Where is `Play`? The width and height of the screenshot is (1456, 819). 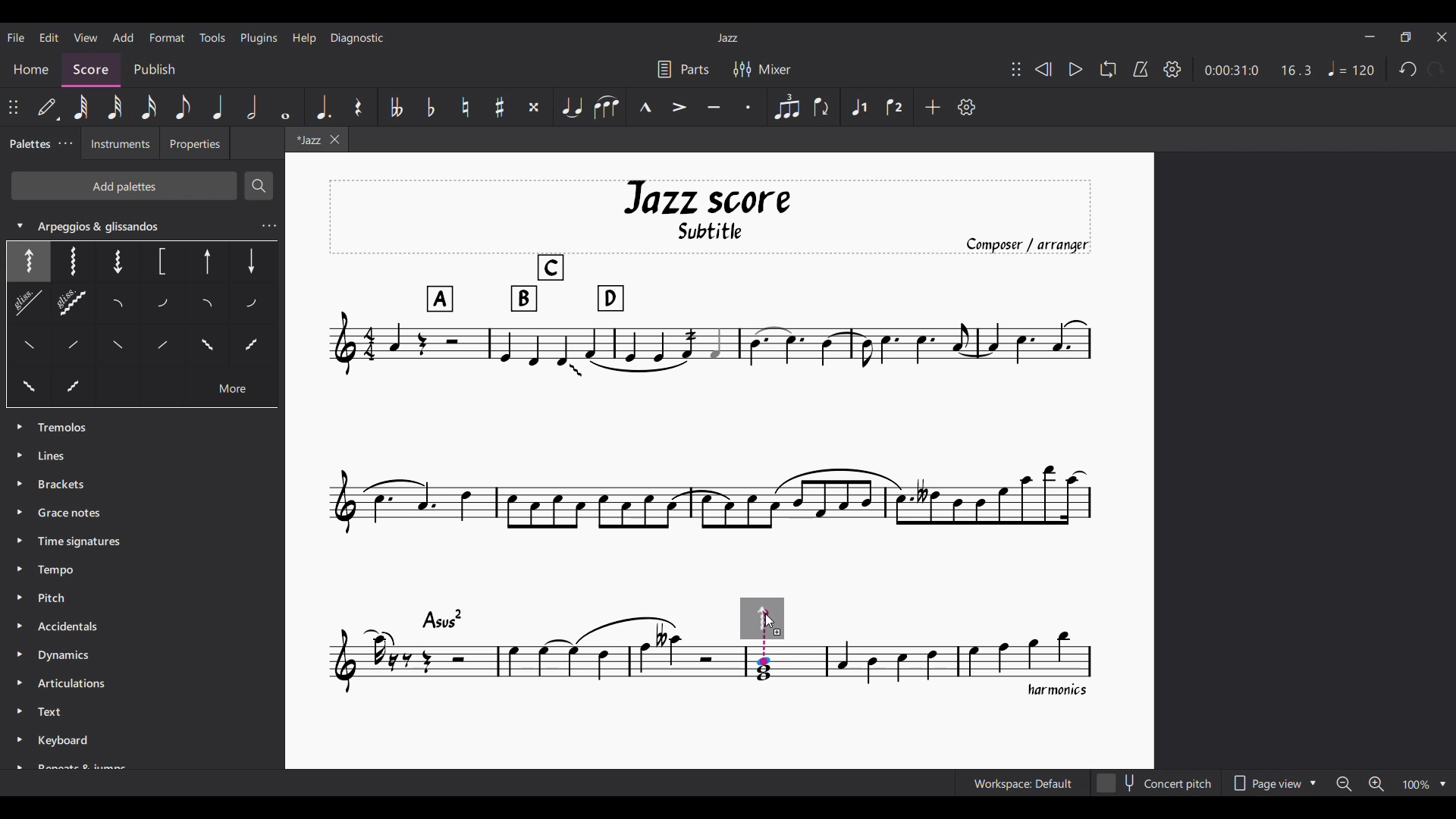
Play is located at coordinates (1076, 69).